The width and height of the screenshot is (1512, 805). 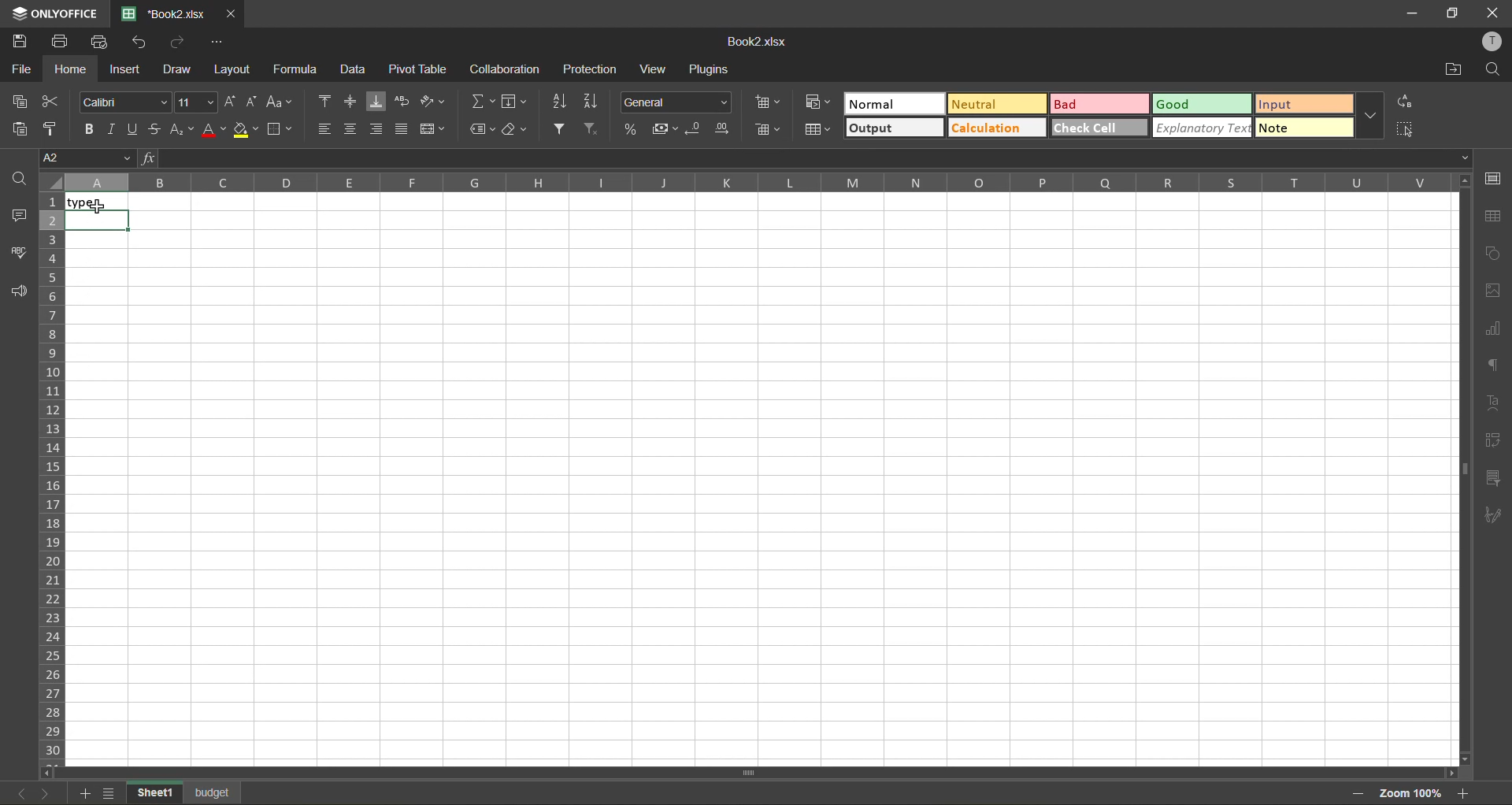 What do you see at coordinates (559, 101) in the screenshot?
I see `sort ascending` at bounding box center [559, 101].